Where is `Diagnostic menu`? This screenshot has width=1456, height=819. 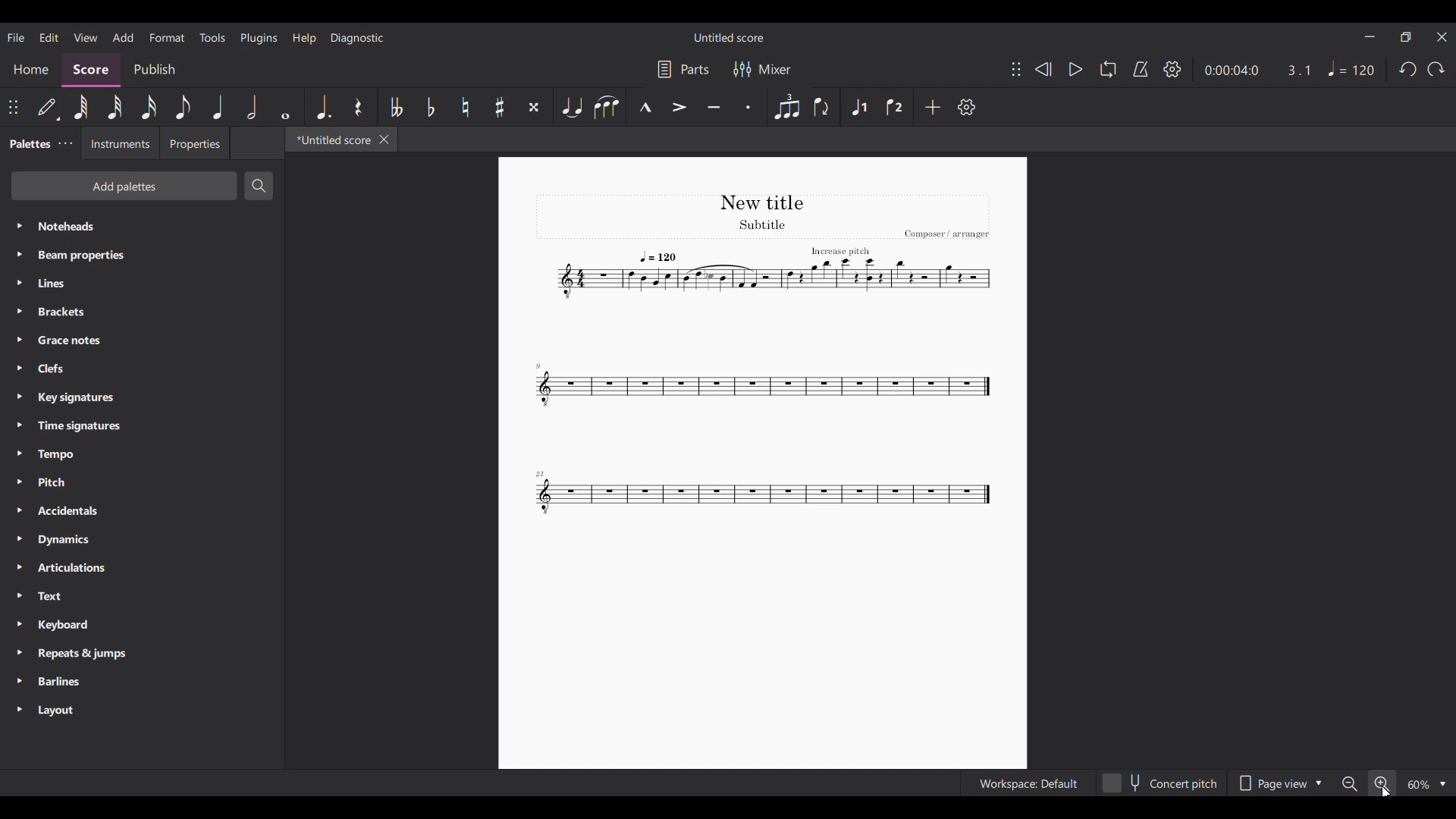
Diagnostic menu is located at coordinates (356, 39).